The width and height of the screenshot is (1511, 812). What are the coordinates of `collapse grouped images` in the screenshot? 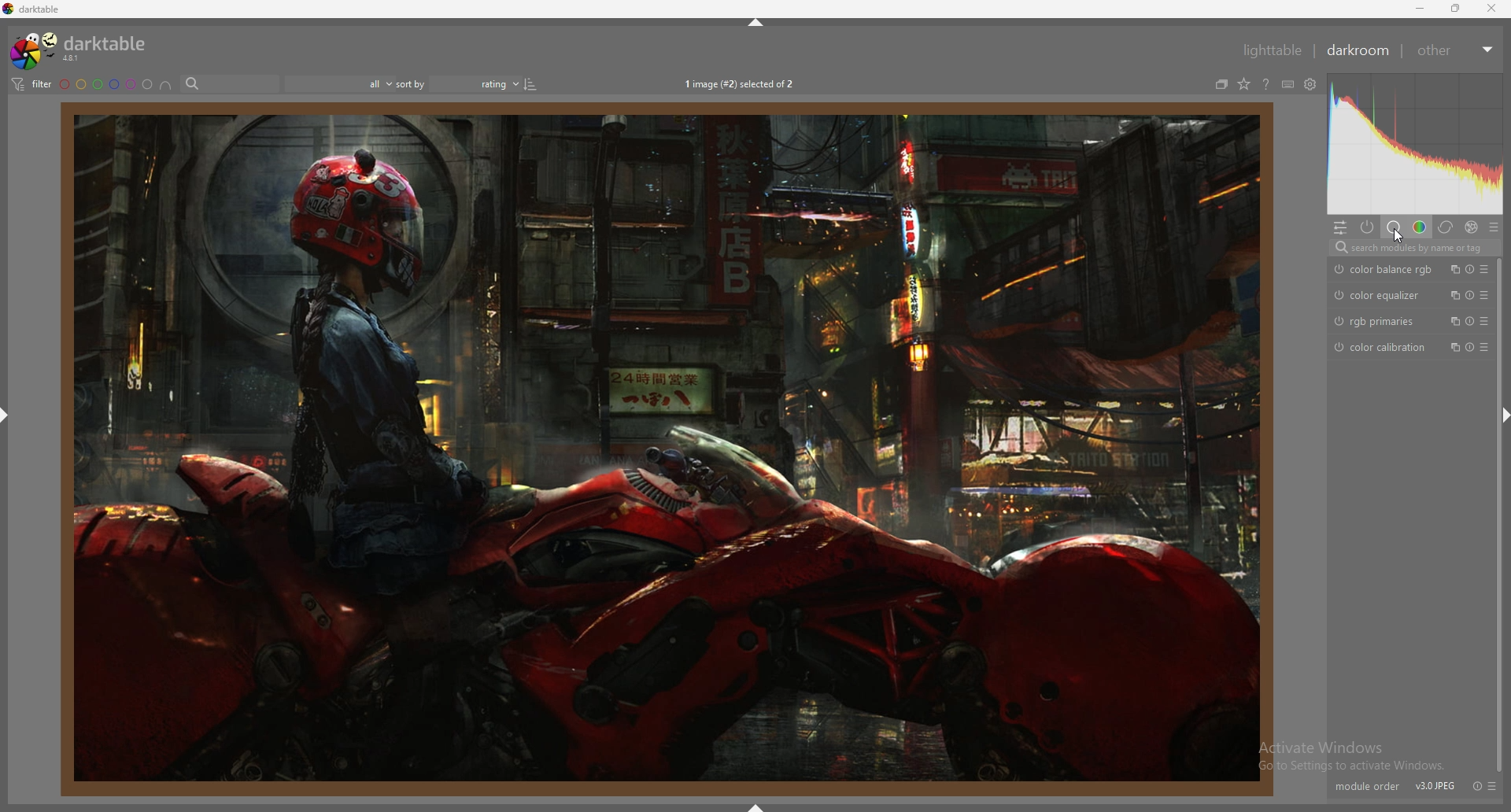 It's located at (1221, 84).